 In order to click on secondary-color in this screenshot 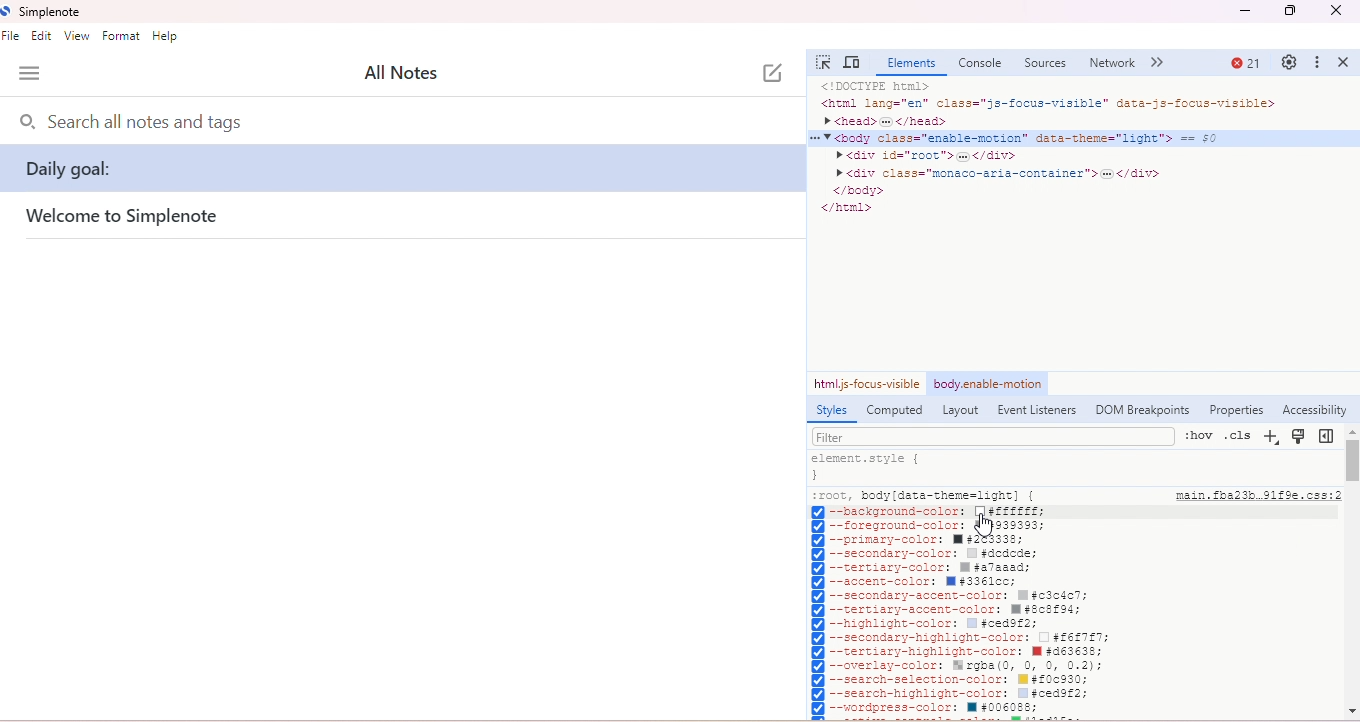, I will do `click(927, 554)`.